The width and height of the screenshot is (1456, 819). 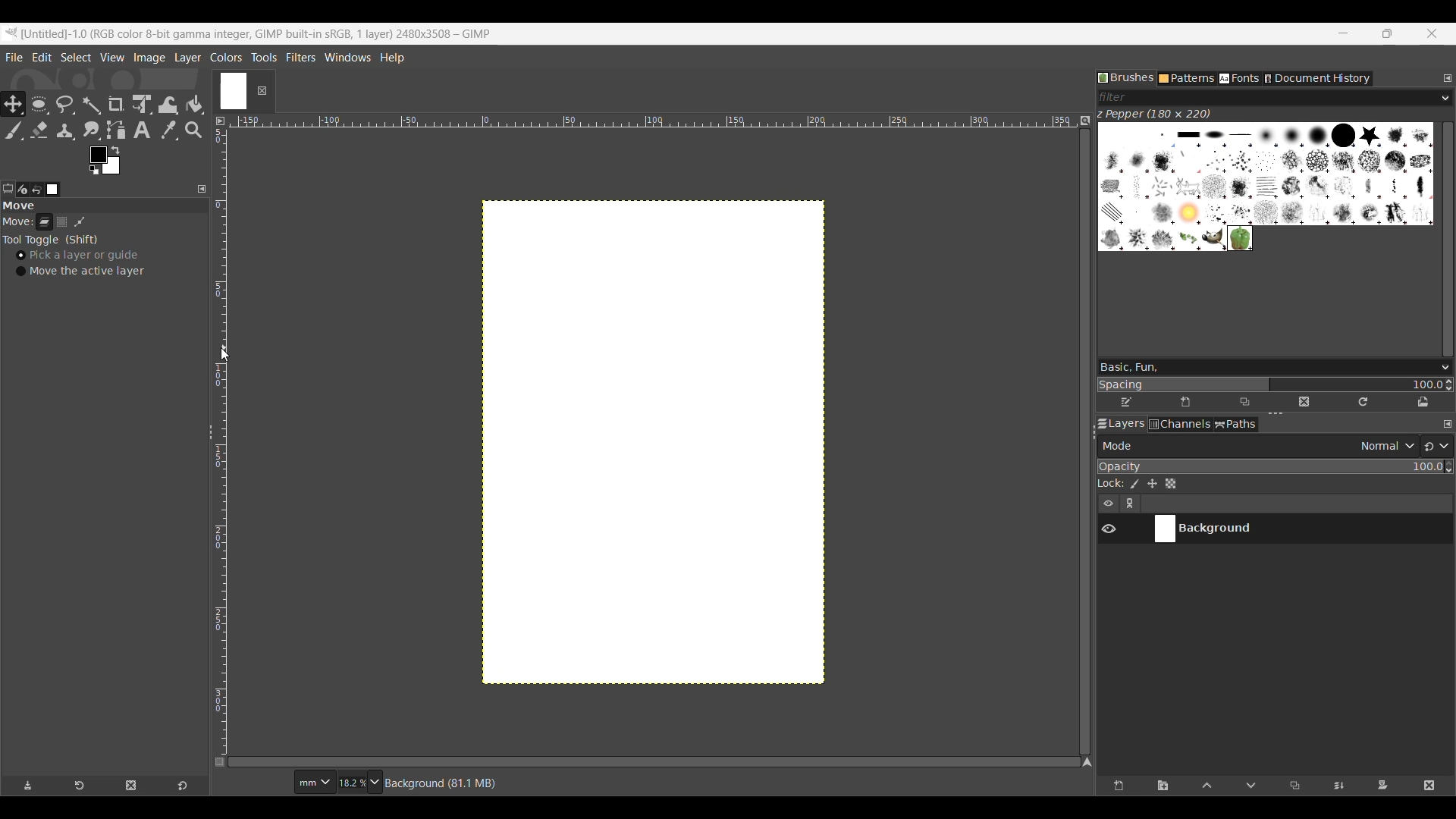 I want to click on Paths tab, so click(x=1236, y=424).